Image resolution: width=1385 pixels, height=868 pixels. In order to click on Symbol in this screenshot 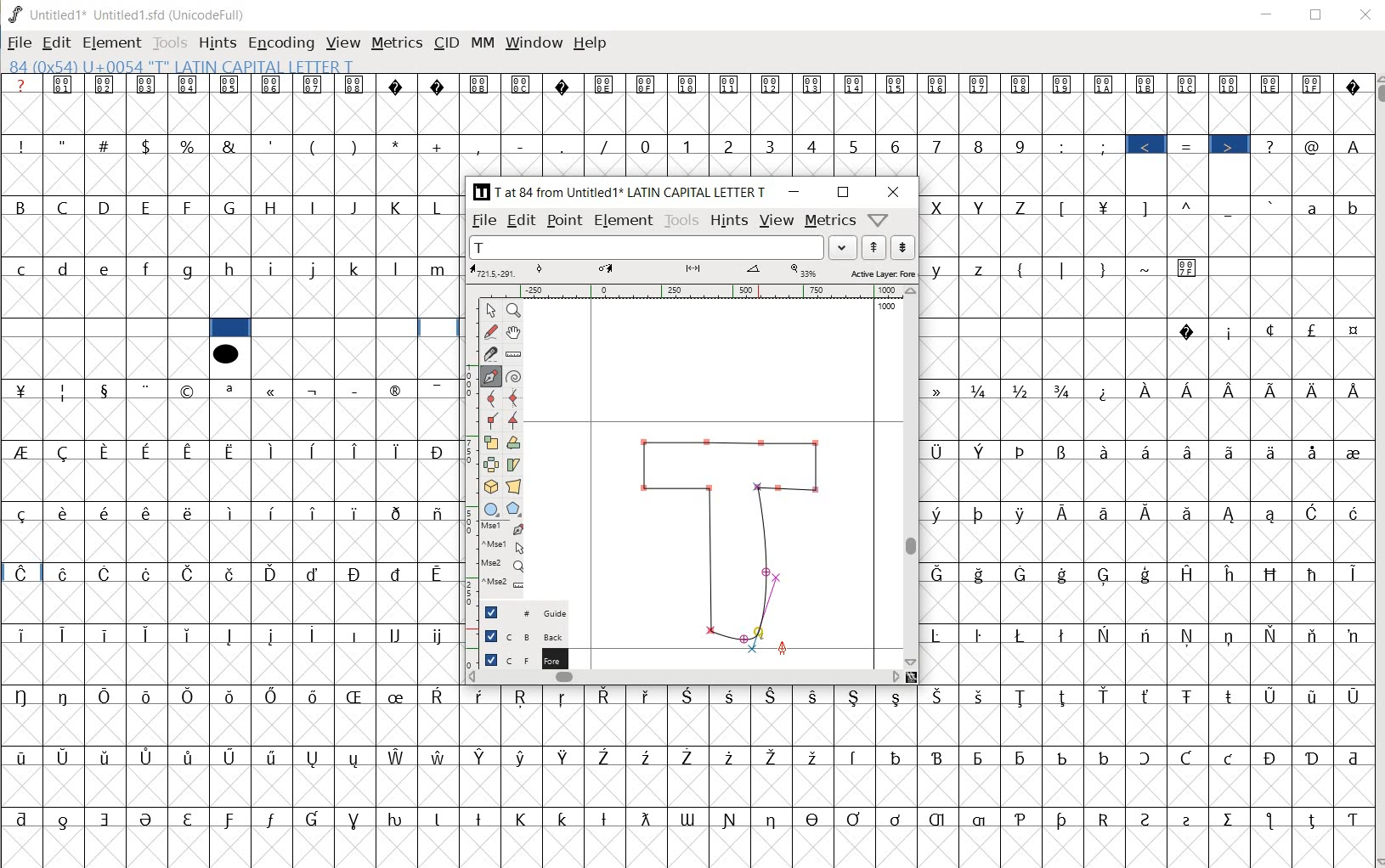, I will do `click(1066, 513)`.